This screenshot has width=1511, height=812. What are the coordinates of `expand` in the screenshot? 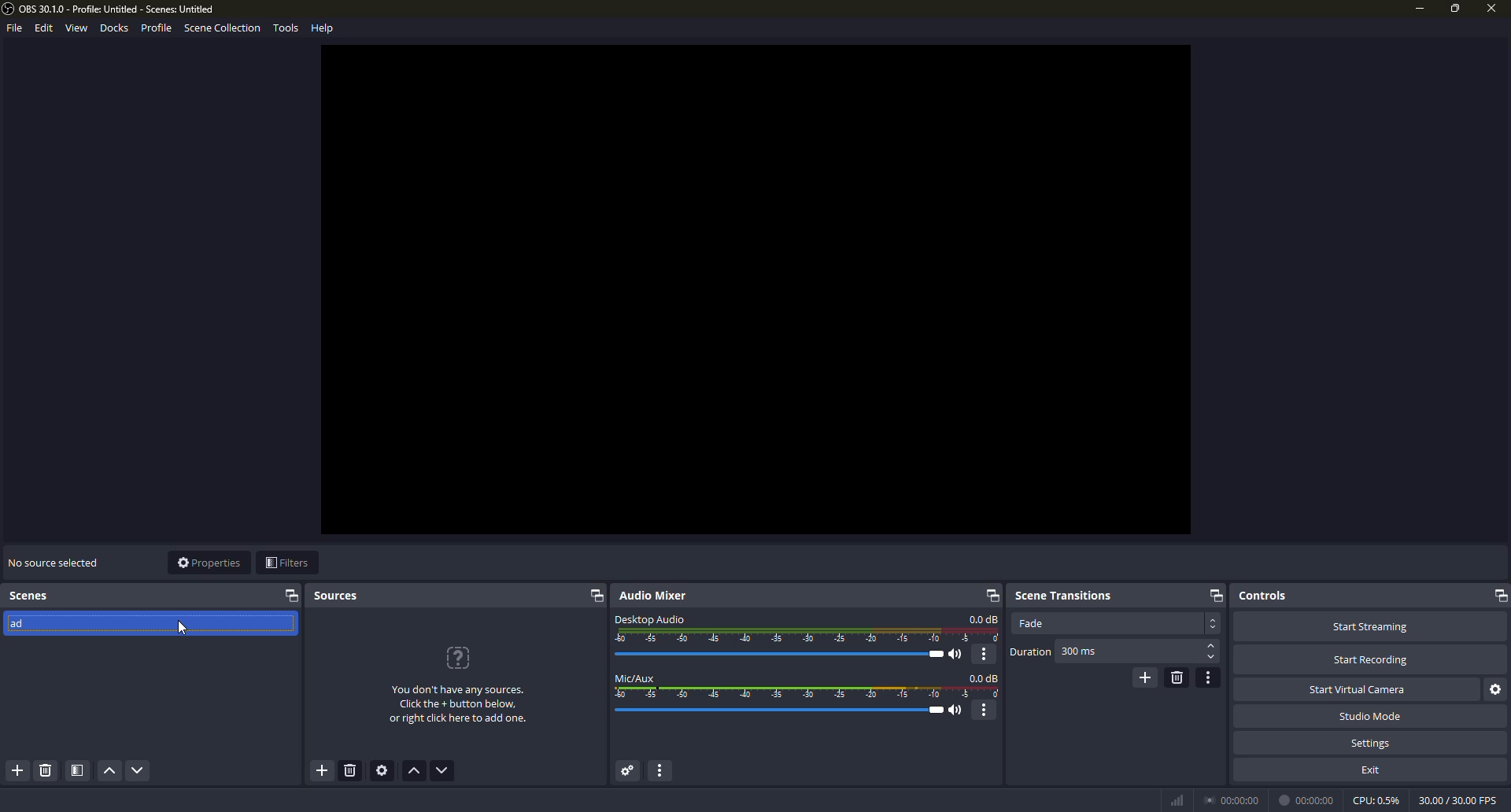 It's located at (1214, 595).